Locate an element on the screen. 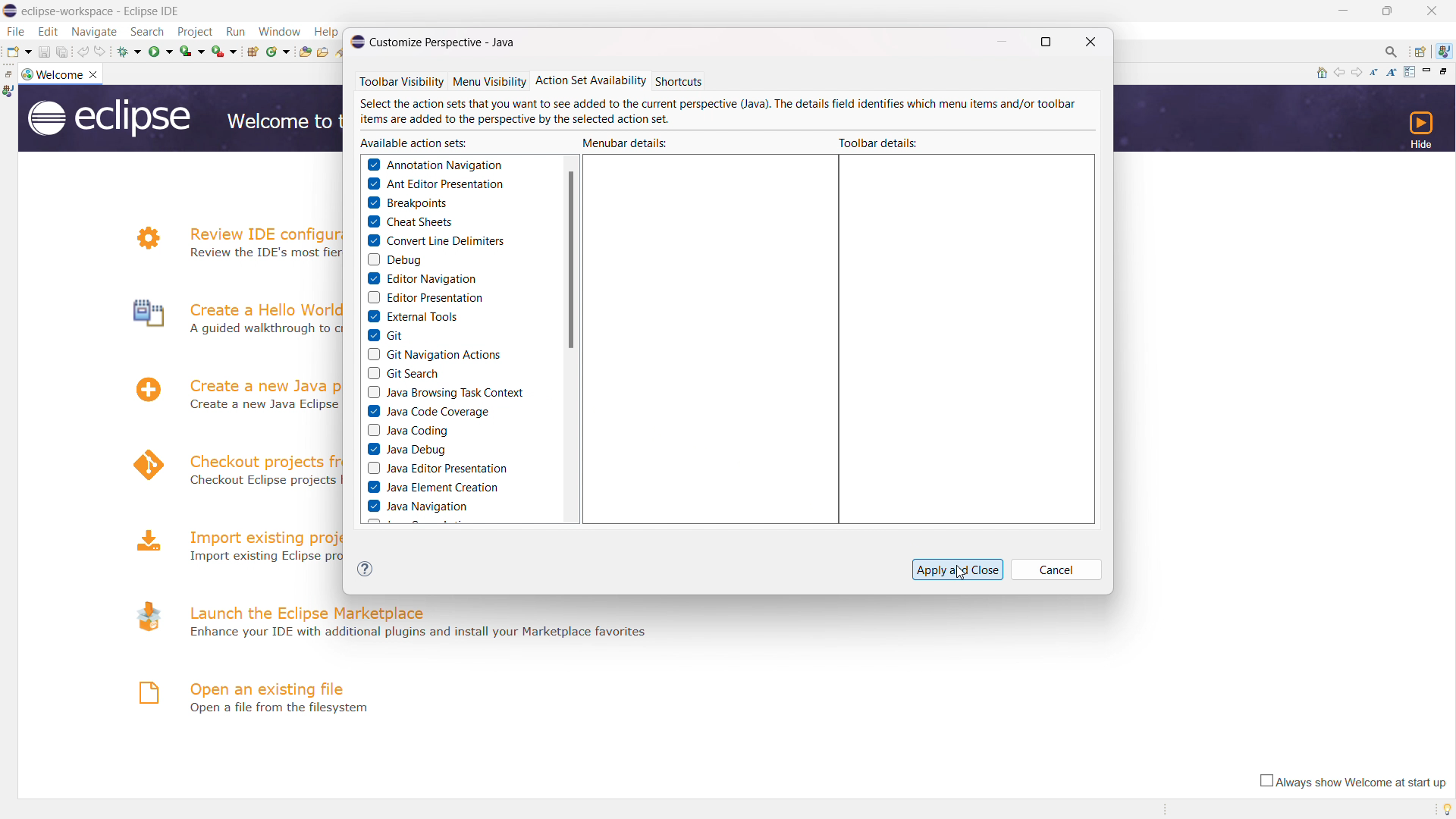 This screenshot has width=1456, height=819. editor navigation is located at coordinates (421, 279).